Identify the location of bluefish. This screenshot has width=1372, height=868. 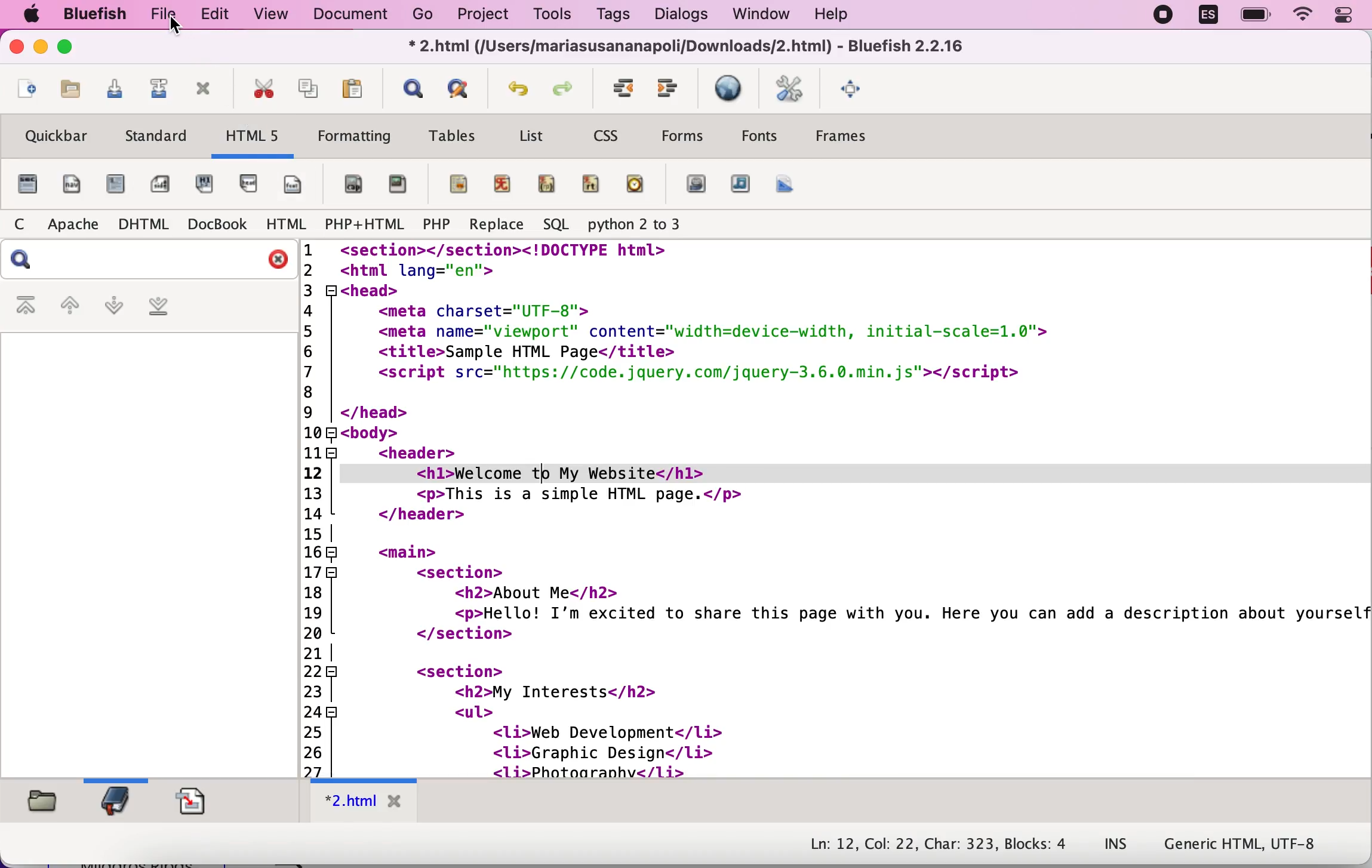
(90, 16).